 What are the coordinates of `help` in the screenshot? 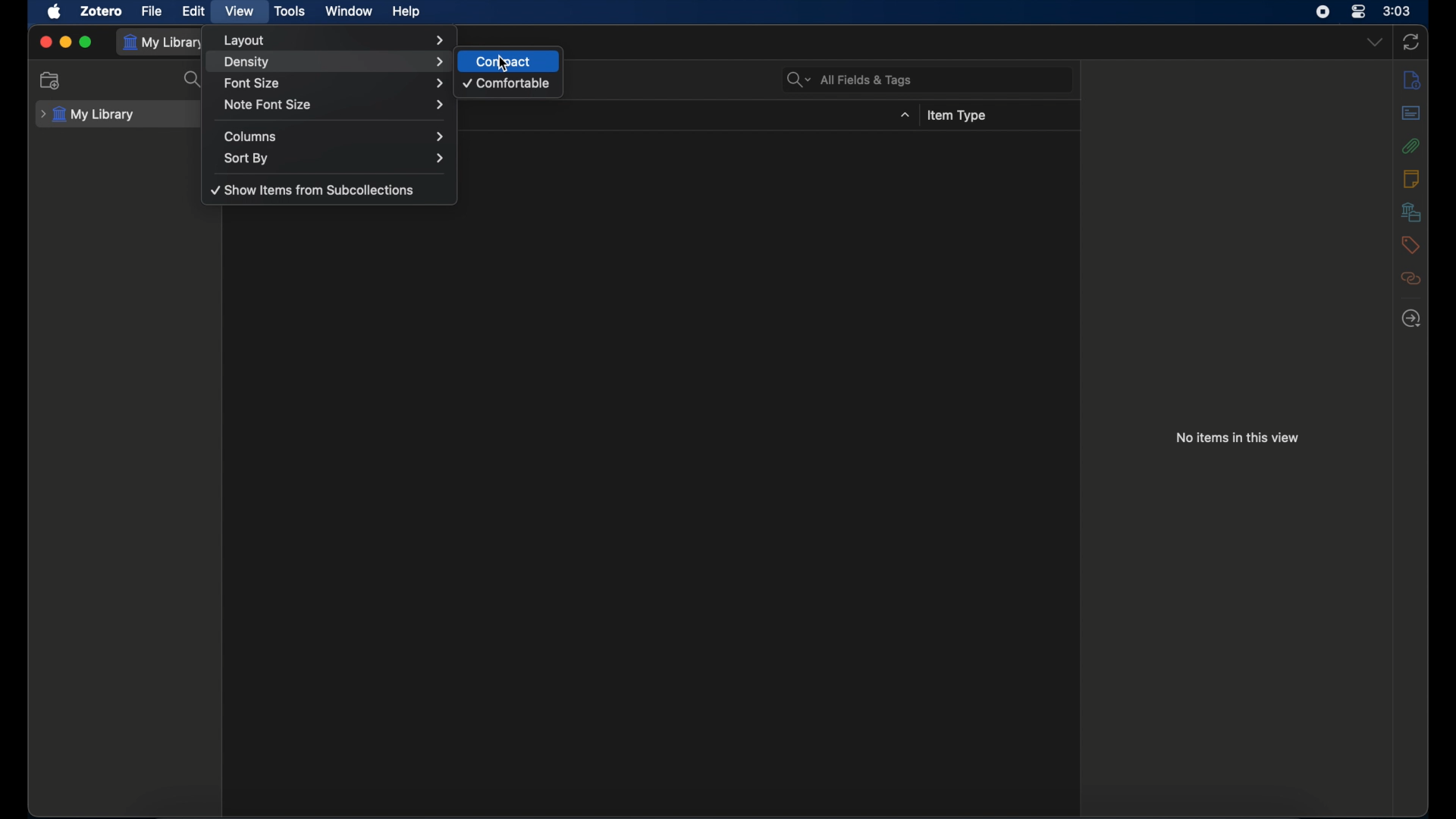 It's located at (406, 12).